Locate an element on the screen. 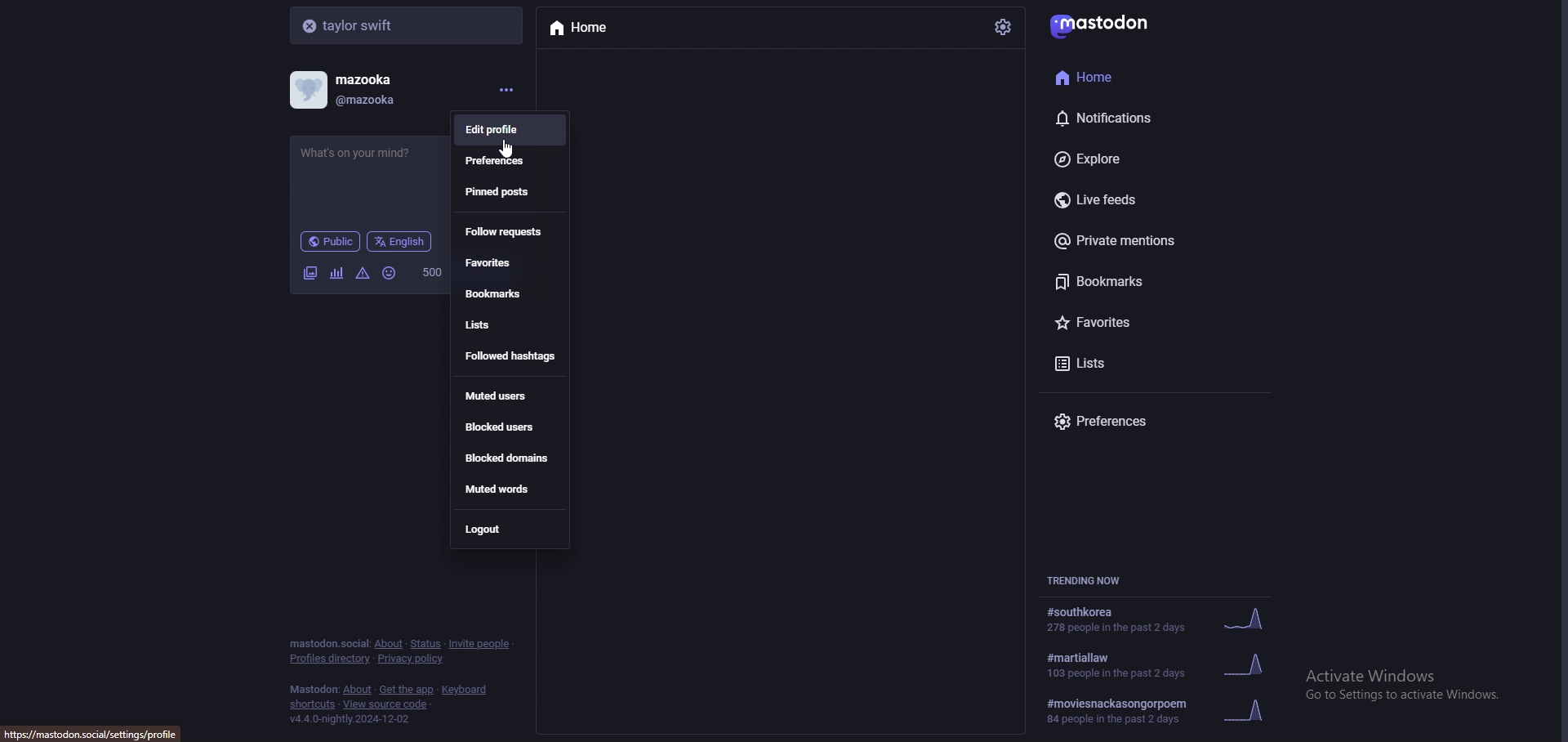 The width and height of the screenshot is (1568, 742). favourites is located at coordinates (1147, 322).